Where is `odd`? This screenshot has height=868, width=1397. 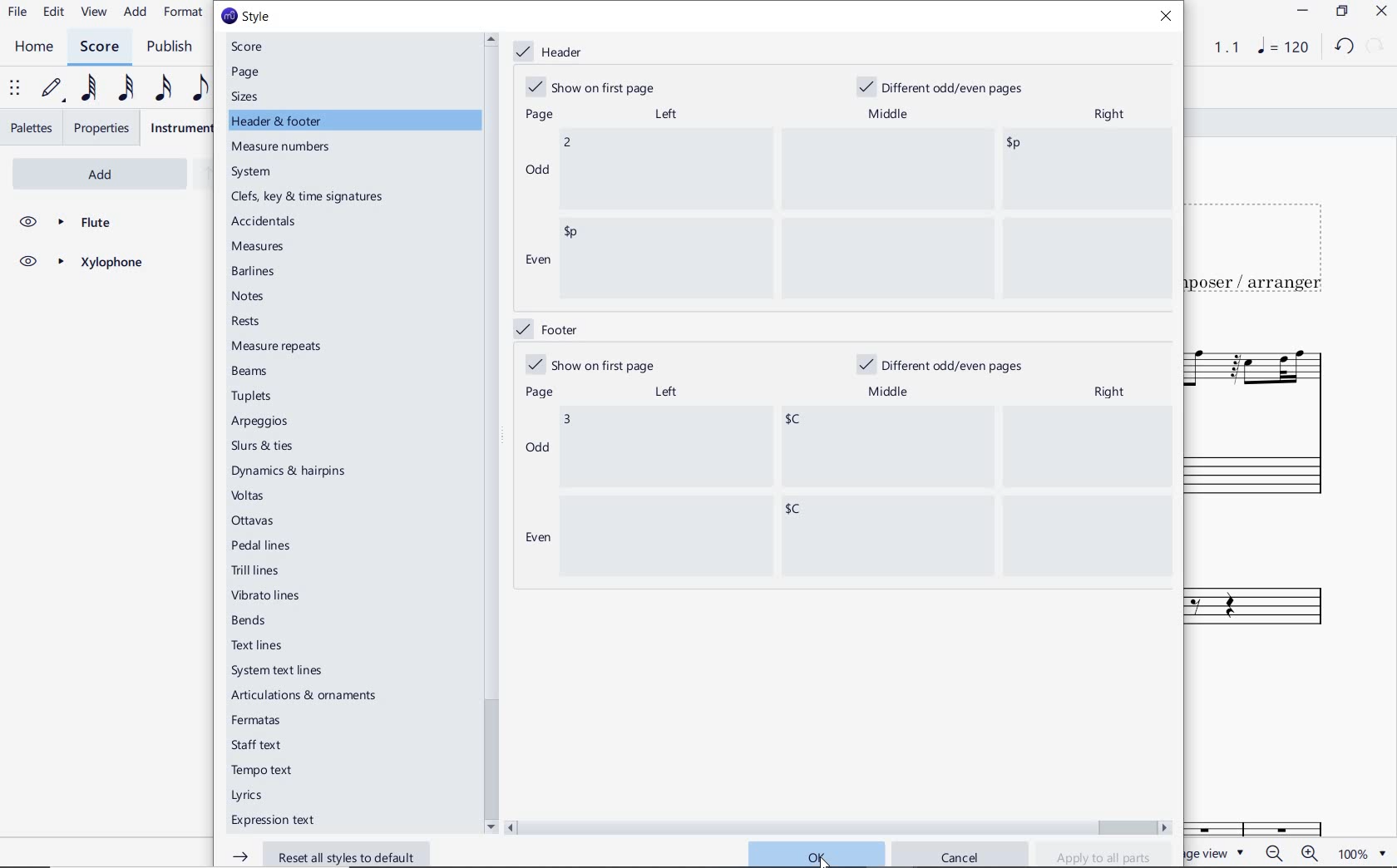 odd is located at coordinates (538, 450).